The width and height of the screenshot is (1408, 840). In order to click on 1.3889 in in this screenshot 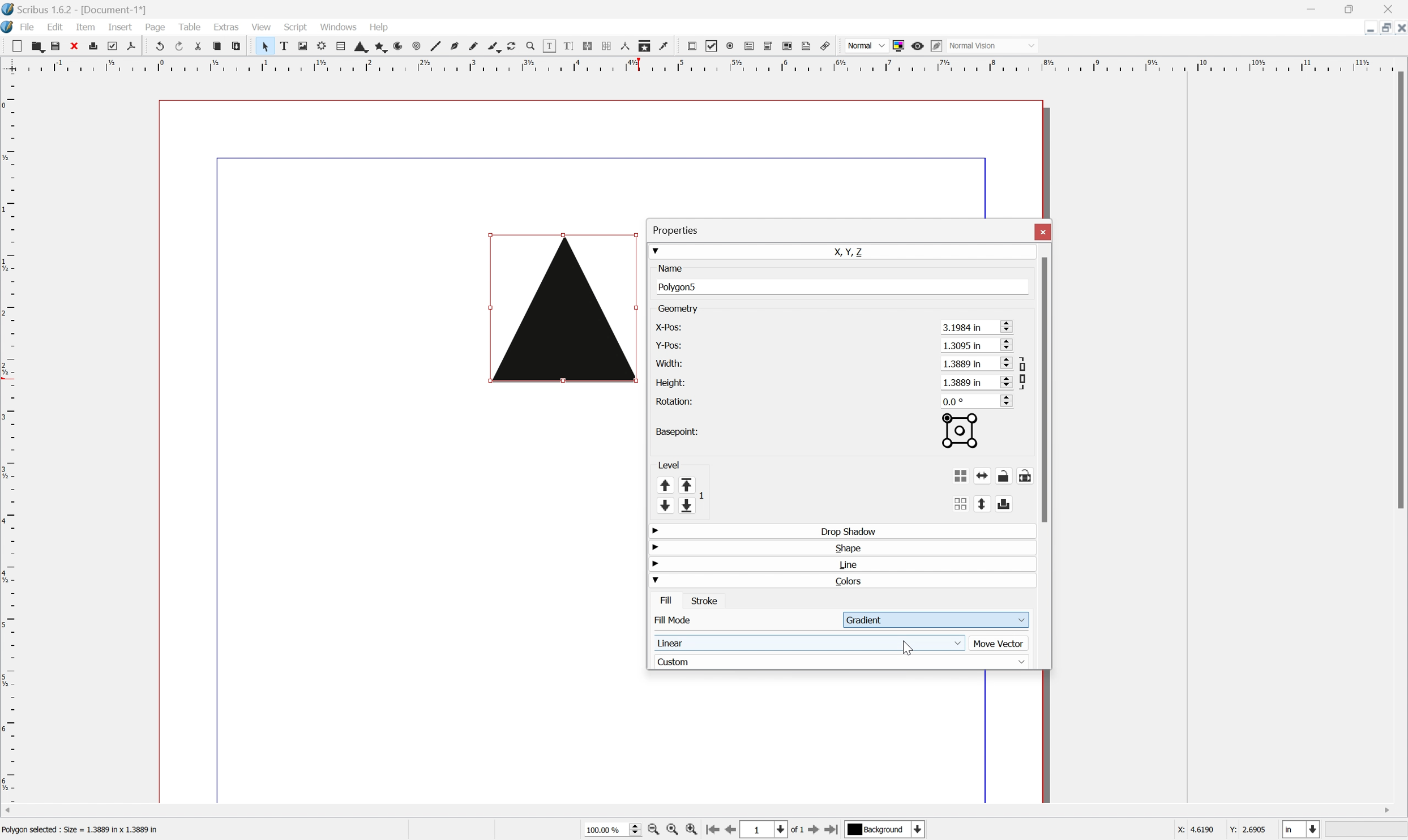, I will do `click(976, 363)`.